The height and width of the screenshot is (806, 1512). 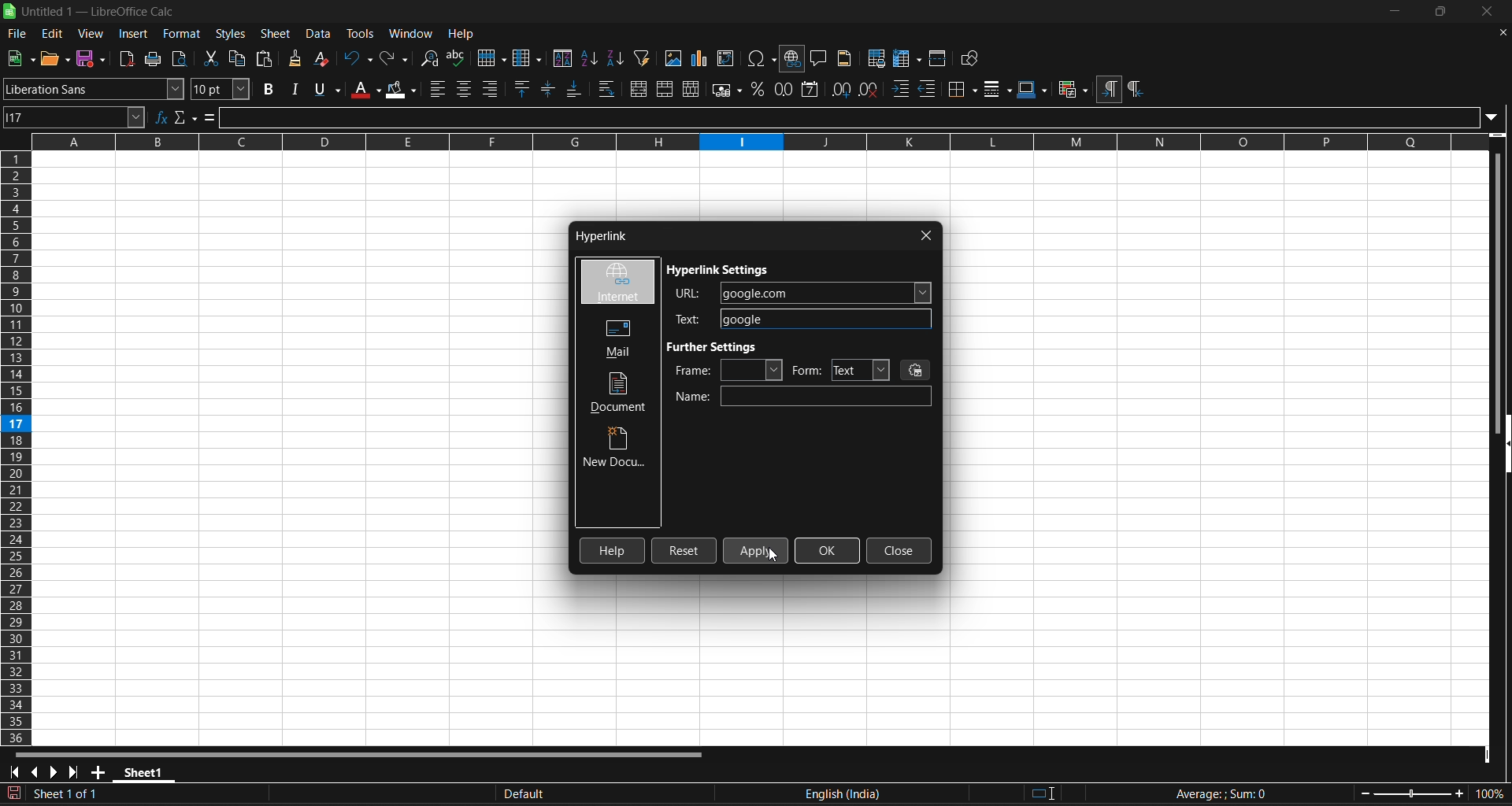 I want to click on unmerge cells, so click(x=692, y=89).